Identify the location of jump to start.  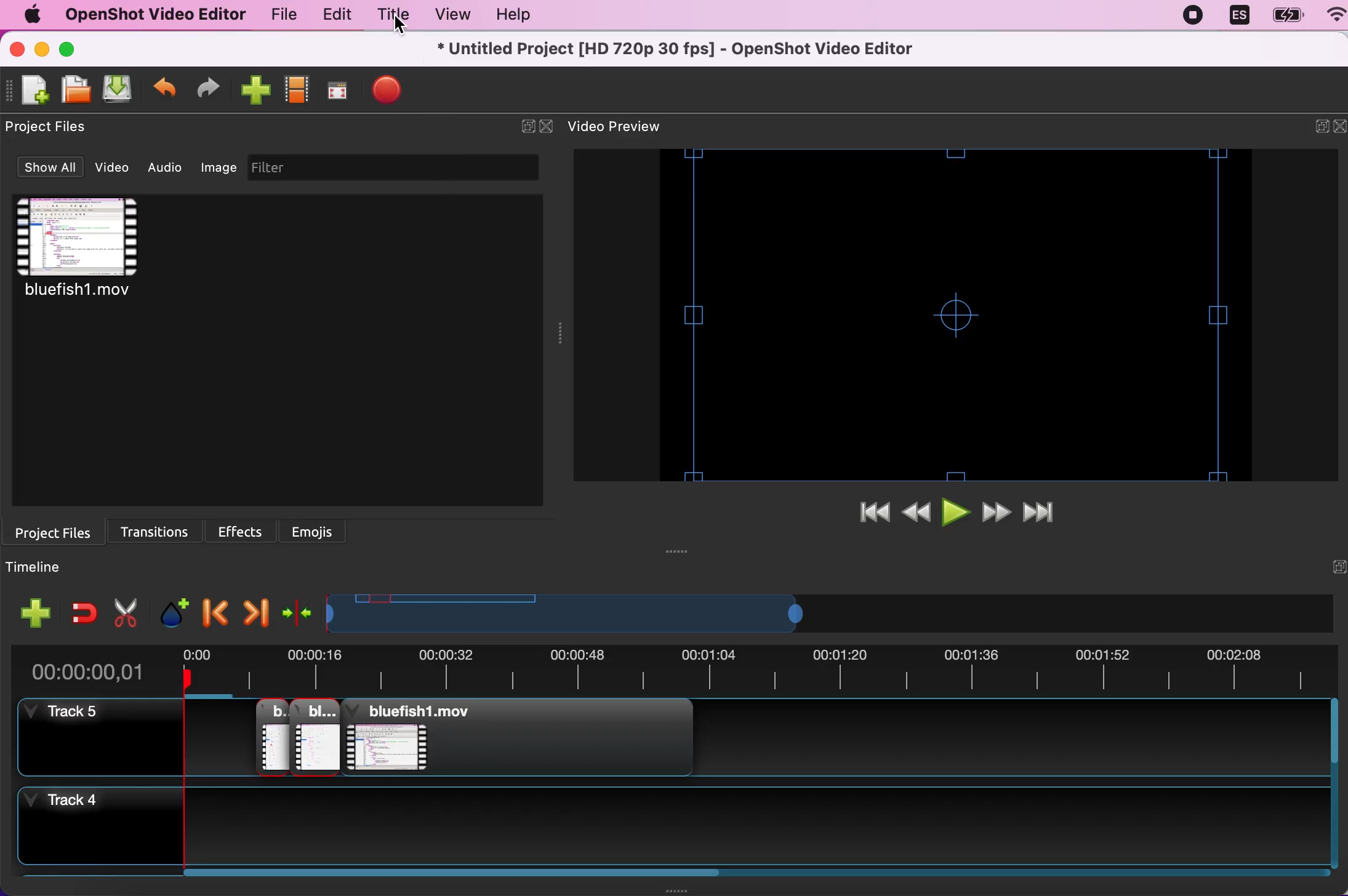
(873, 514).